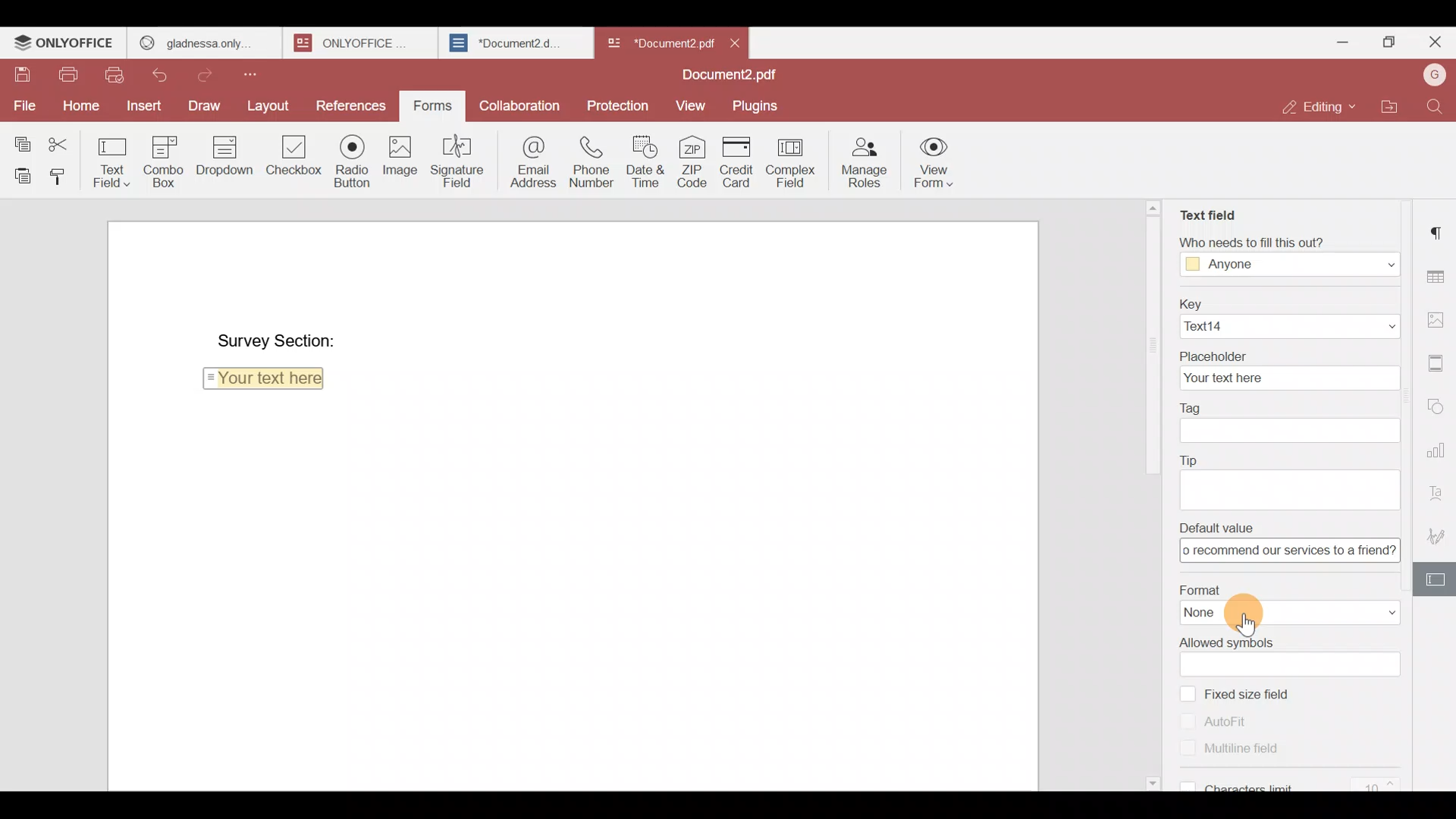 The width and height of the screenshot is (1456, 819). I want to click on Collaboration, so click(522, 108).